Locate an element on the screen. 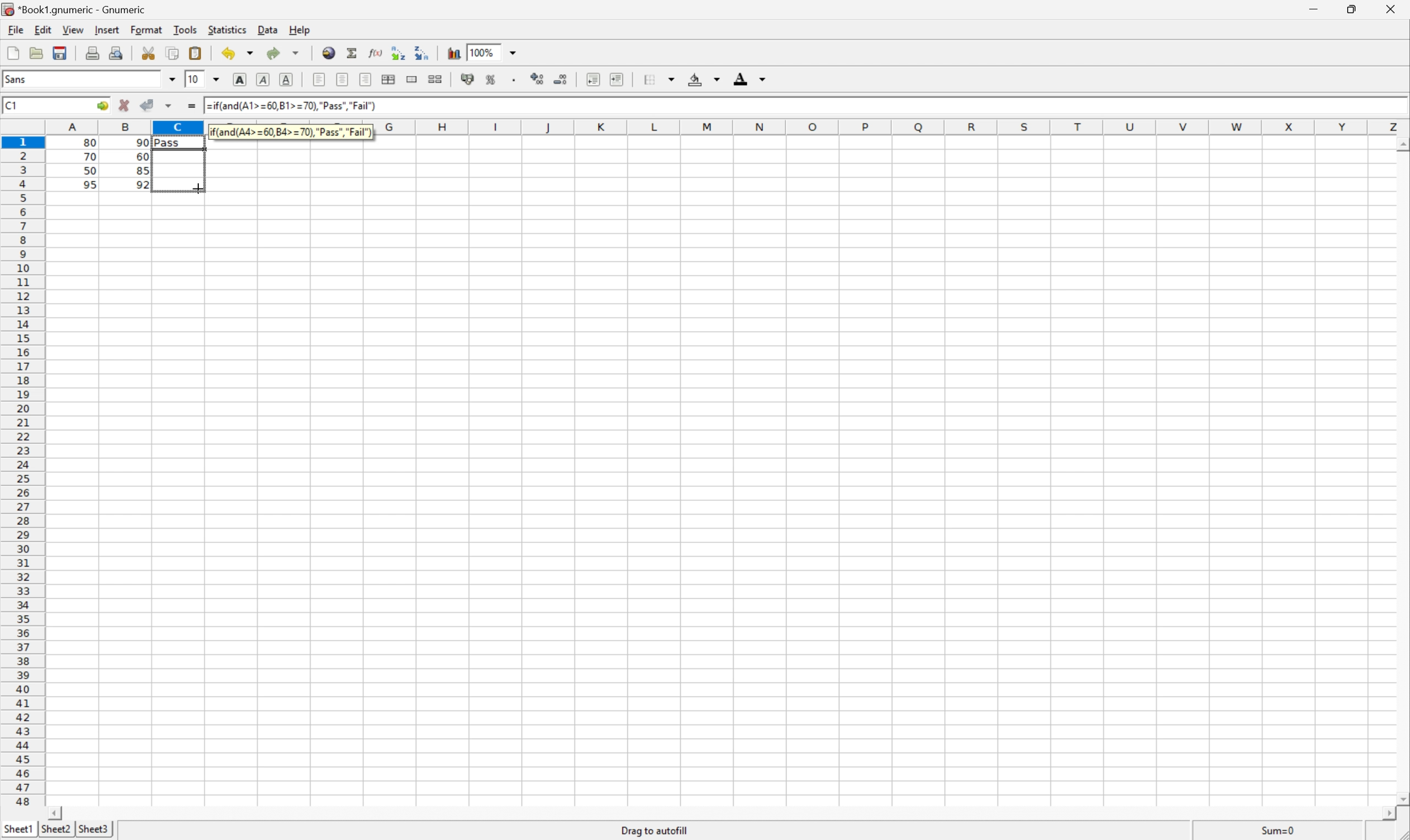  Center horizontally is located at coordinates (343, 80).